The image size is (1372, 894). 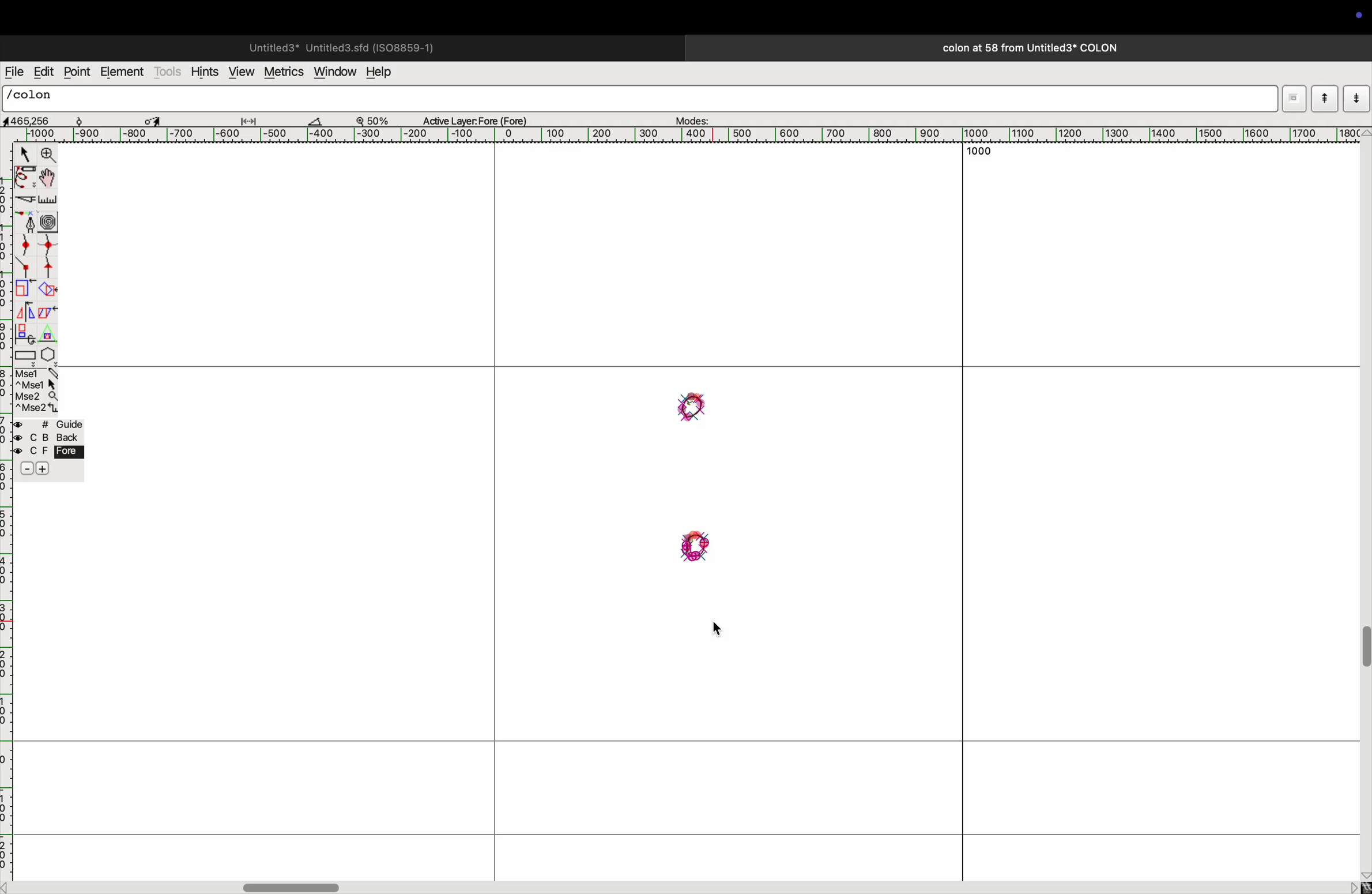 I want to click on knife, so click(x=24, y=201).